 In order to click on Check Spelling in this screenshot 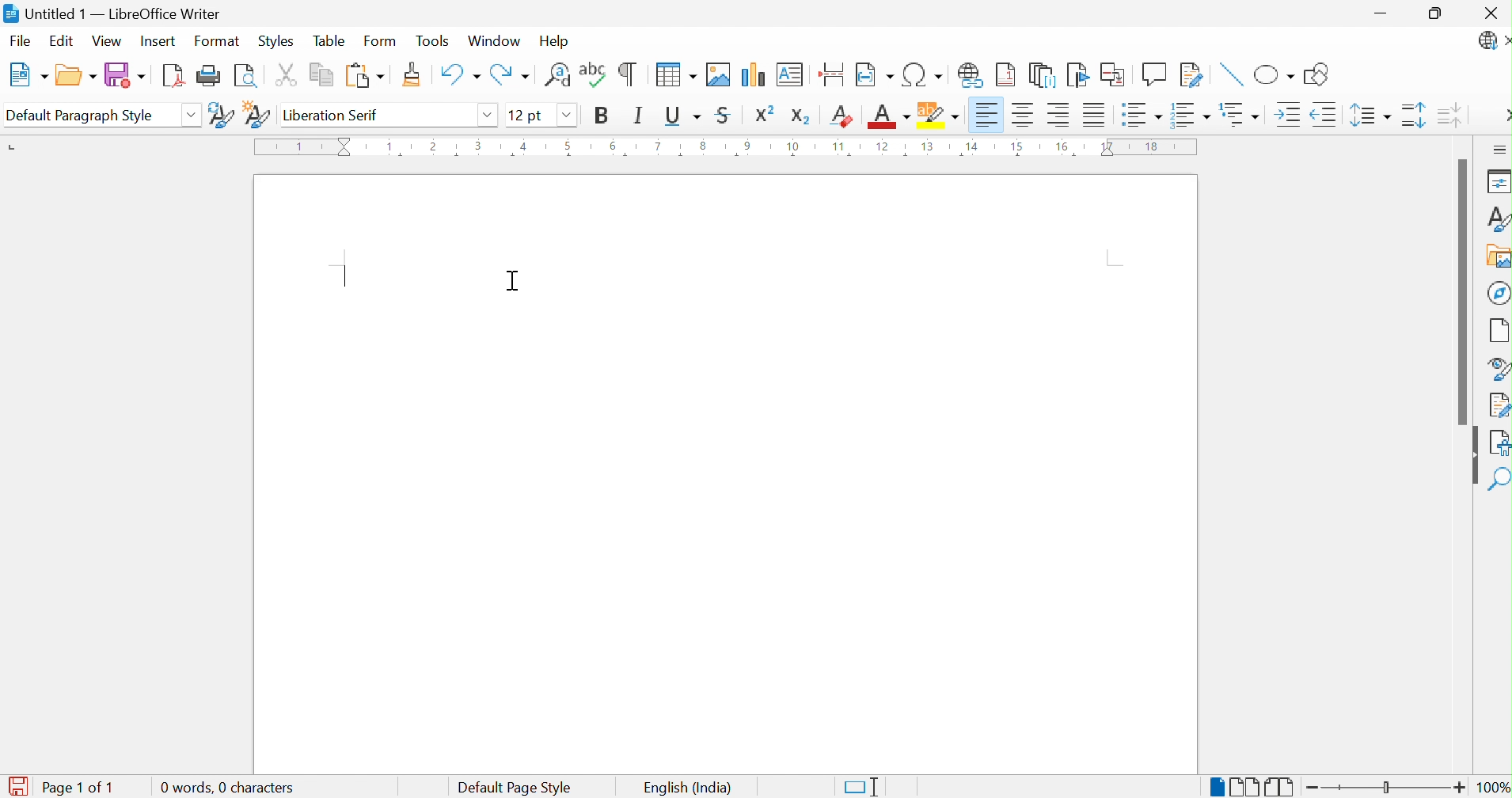, I will do `click(593, 78)`.